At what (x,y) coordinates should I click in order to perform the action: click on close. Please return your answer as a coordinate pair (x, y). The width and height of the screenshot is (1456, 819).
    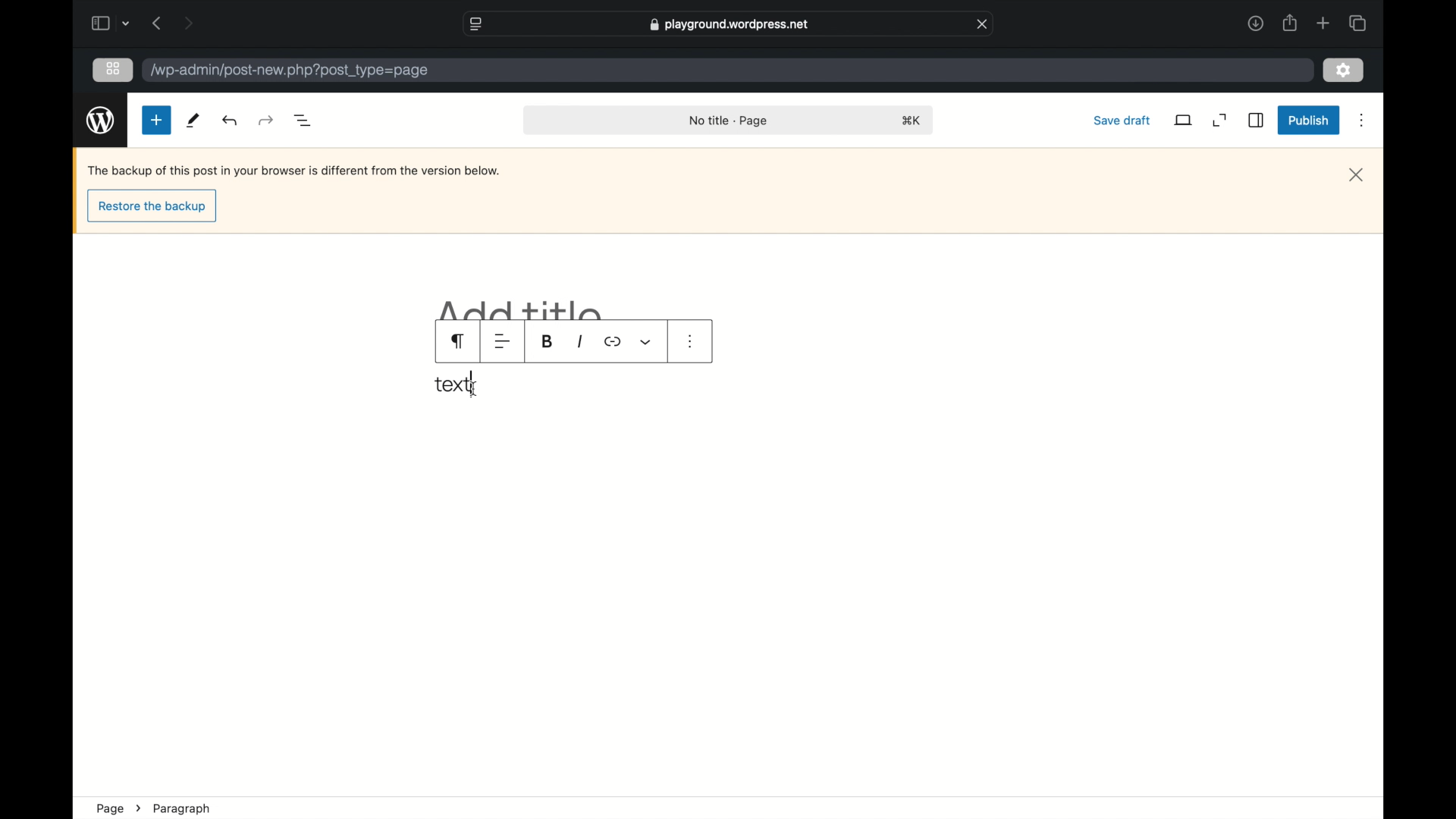
    Looking at the image, I should click on (983, 23).